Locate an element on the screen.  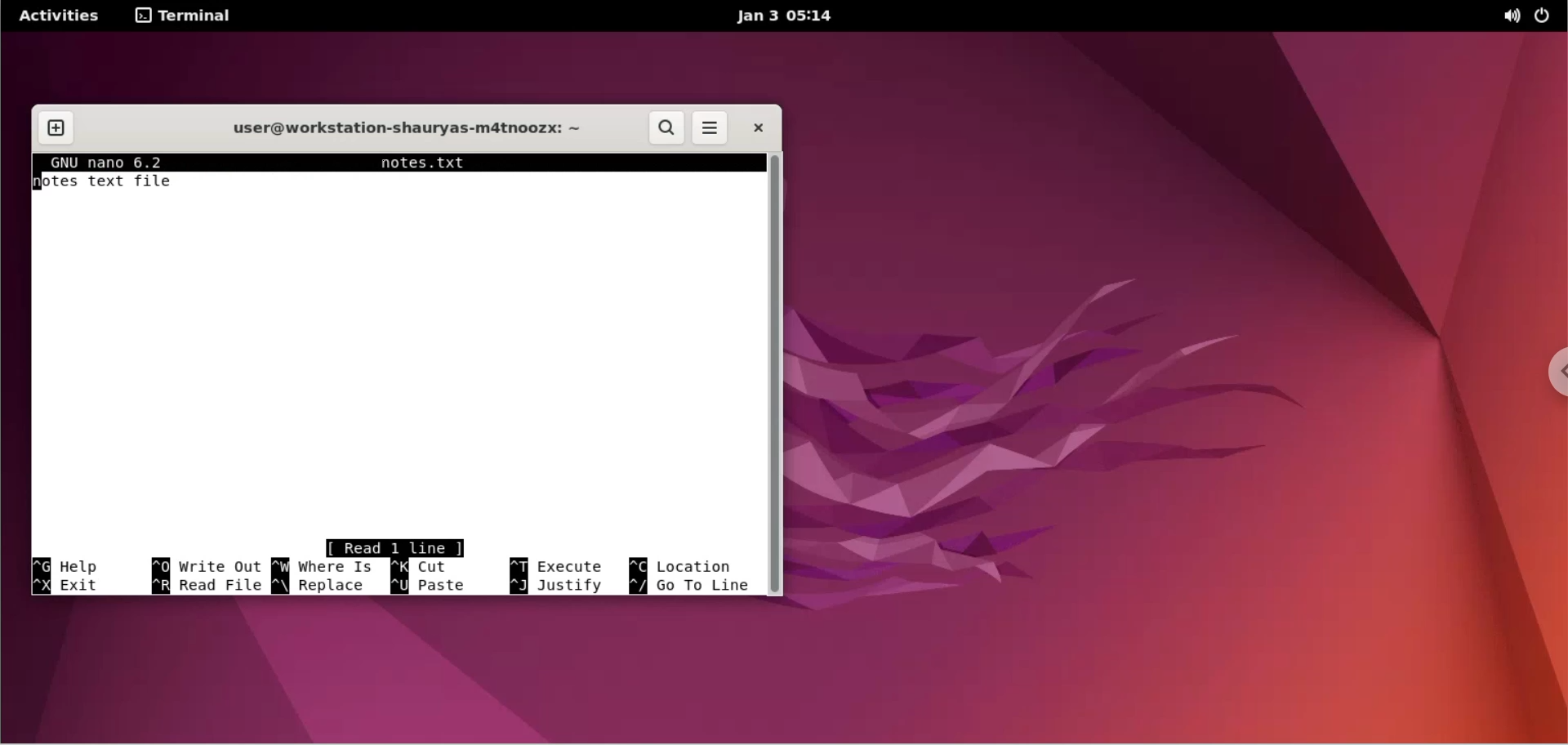
user@workstation-shauryas-m4tnoozx: ~ is located at coordinates (394, 128).